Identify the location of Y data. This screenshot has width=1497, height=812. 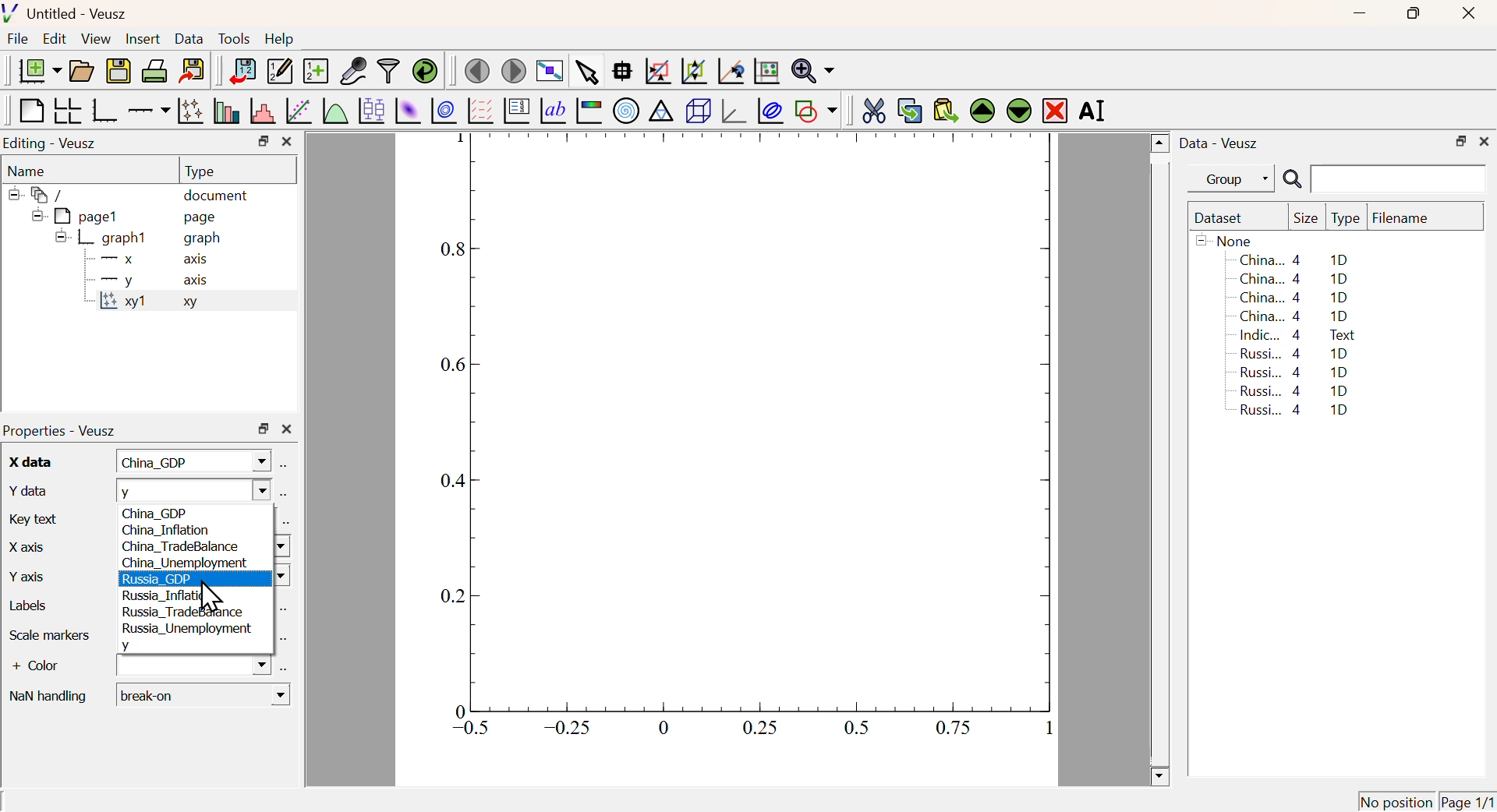
(26, 489).